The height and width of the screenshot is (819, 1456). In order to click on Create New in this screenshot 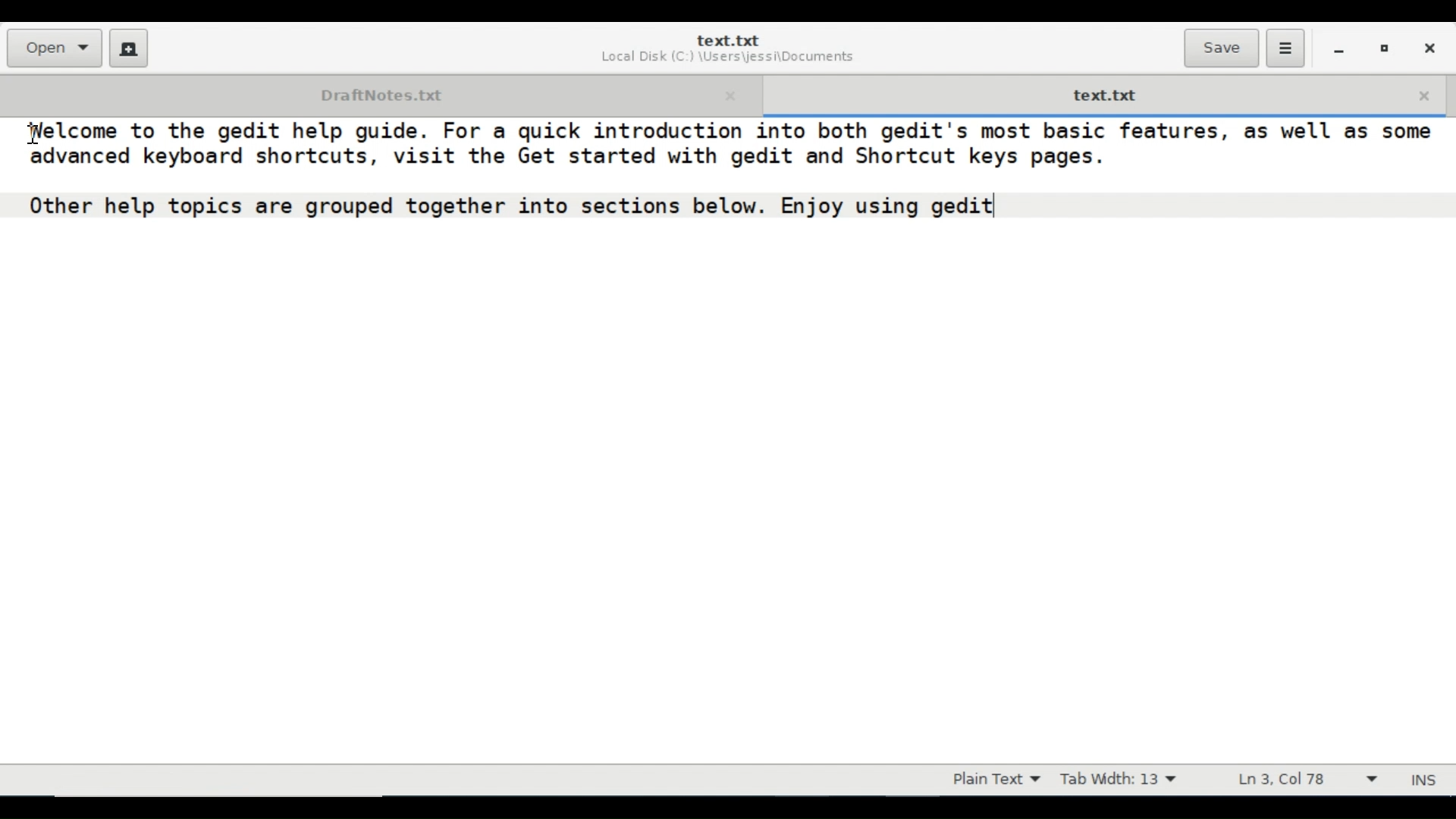, I will do `click(129, 48)`.